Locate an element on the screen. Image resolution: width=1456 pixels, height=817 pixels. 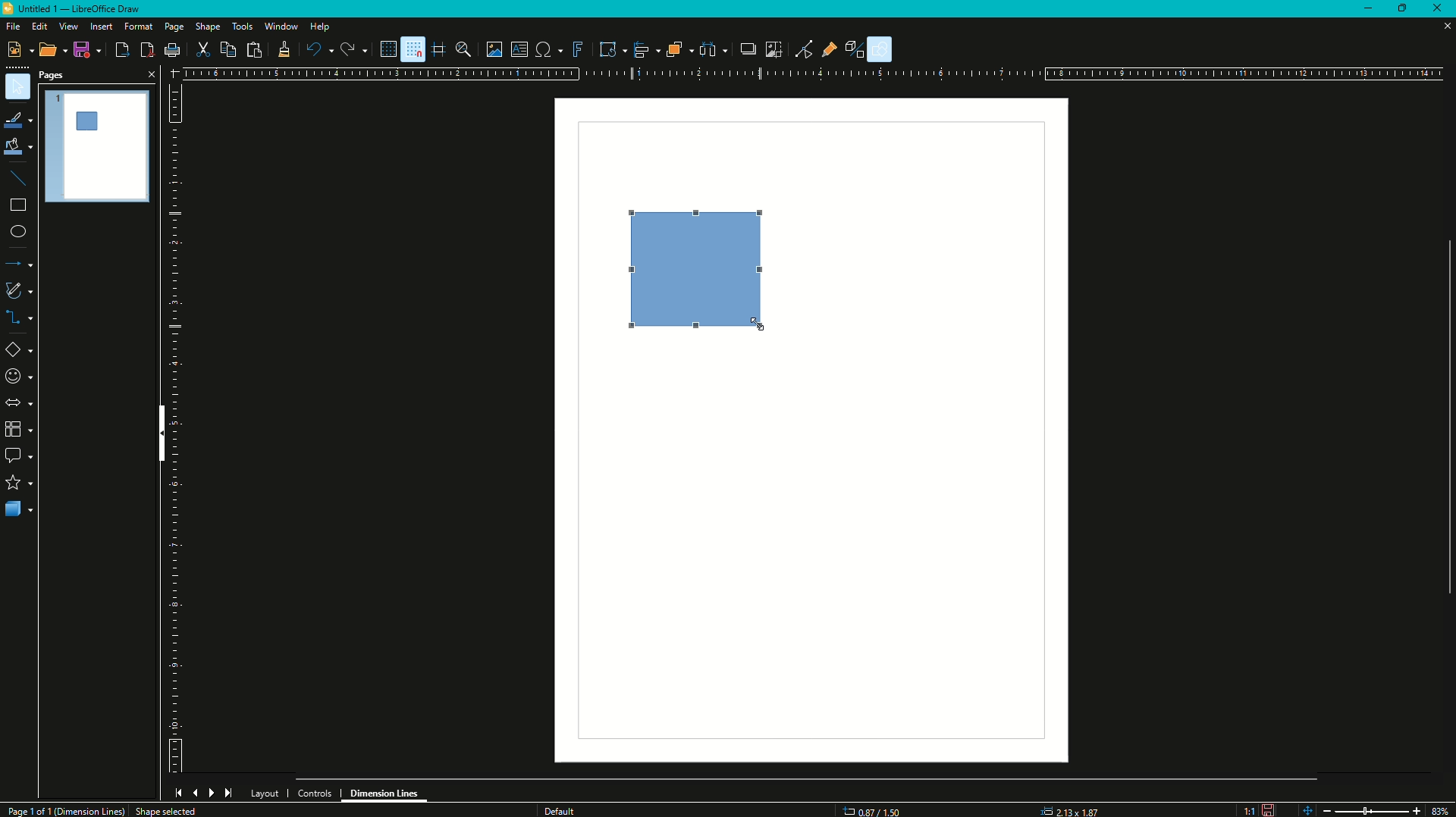
Help is located at coordinates (320, 28).